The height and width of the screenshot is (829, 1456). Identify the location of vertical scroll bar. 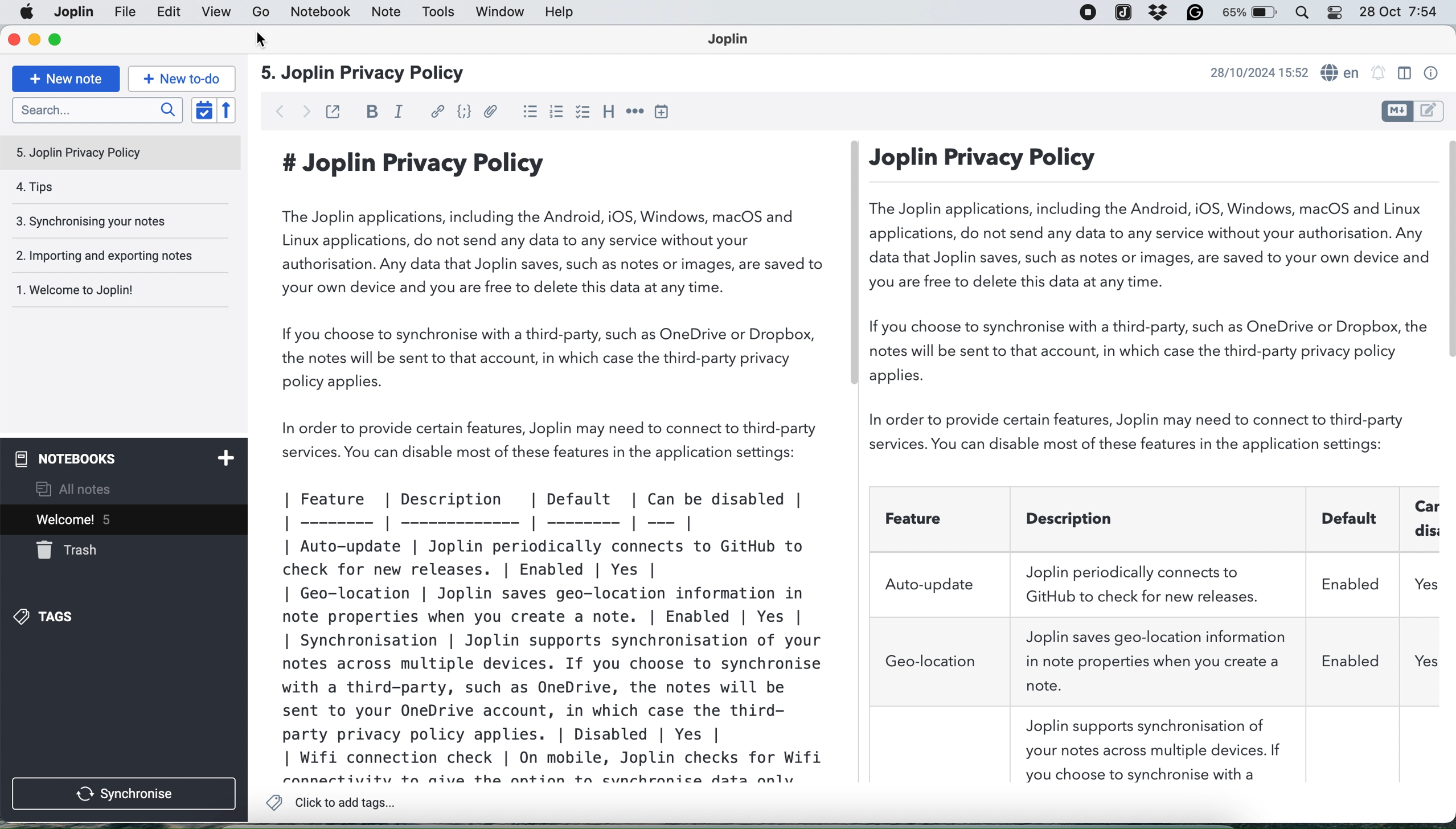
(1447, 247).